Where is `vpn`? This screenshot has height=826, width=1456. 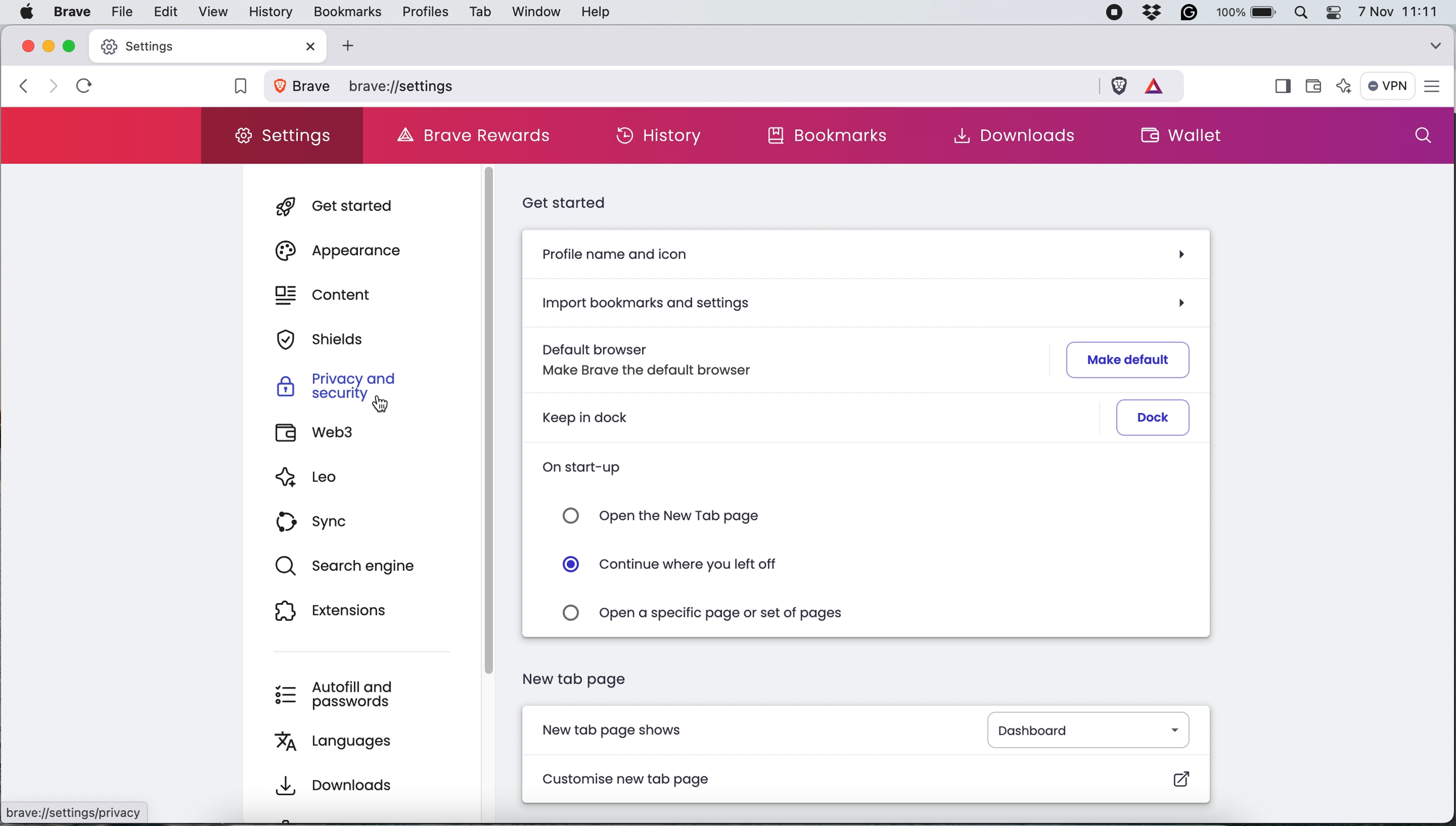
vpn is located at coordinates (1389, 86).